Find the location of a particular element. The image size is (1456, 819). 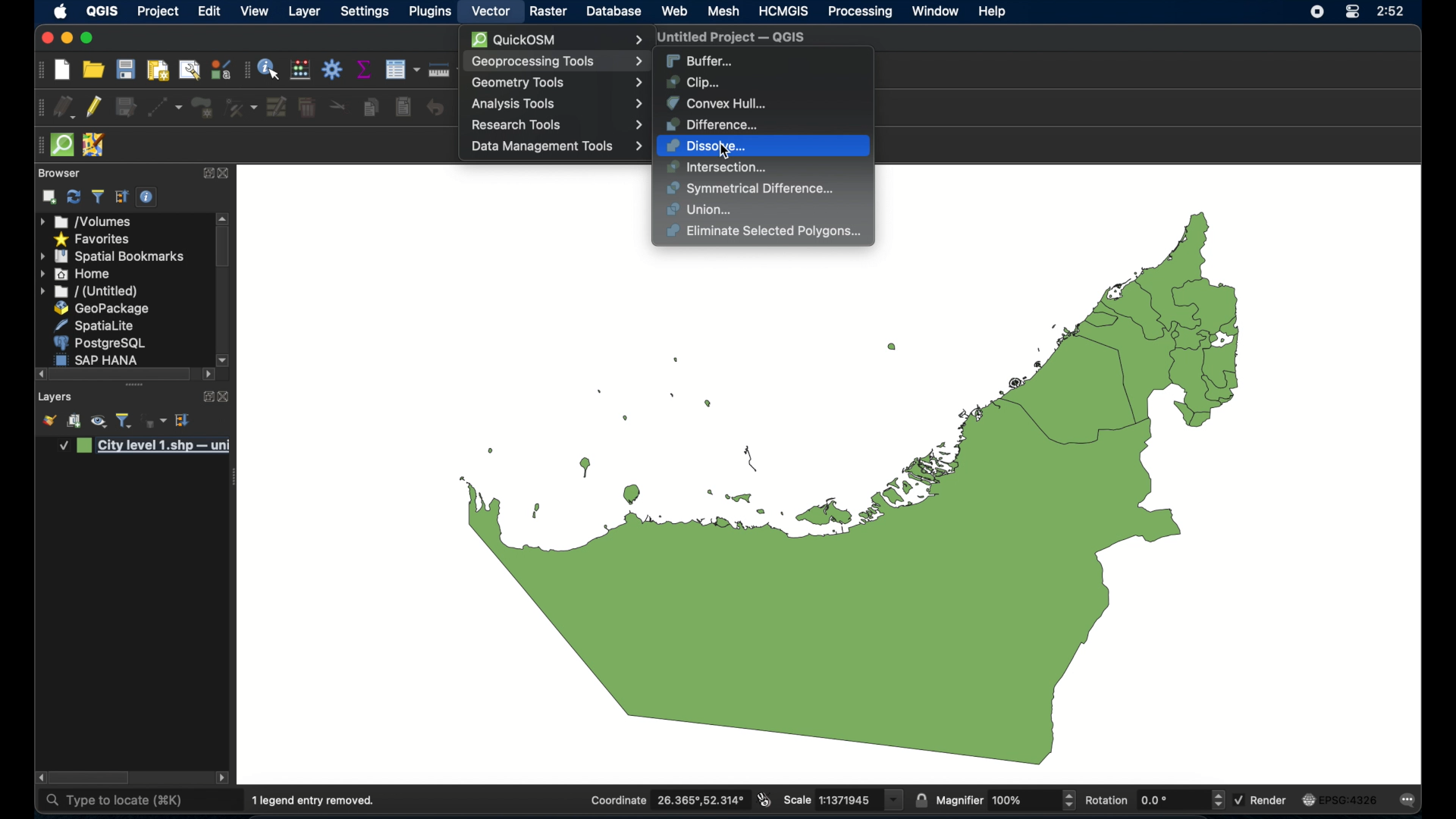

modify attributes is located at coordinates (275, 107).